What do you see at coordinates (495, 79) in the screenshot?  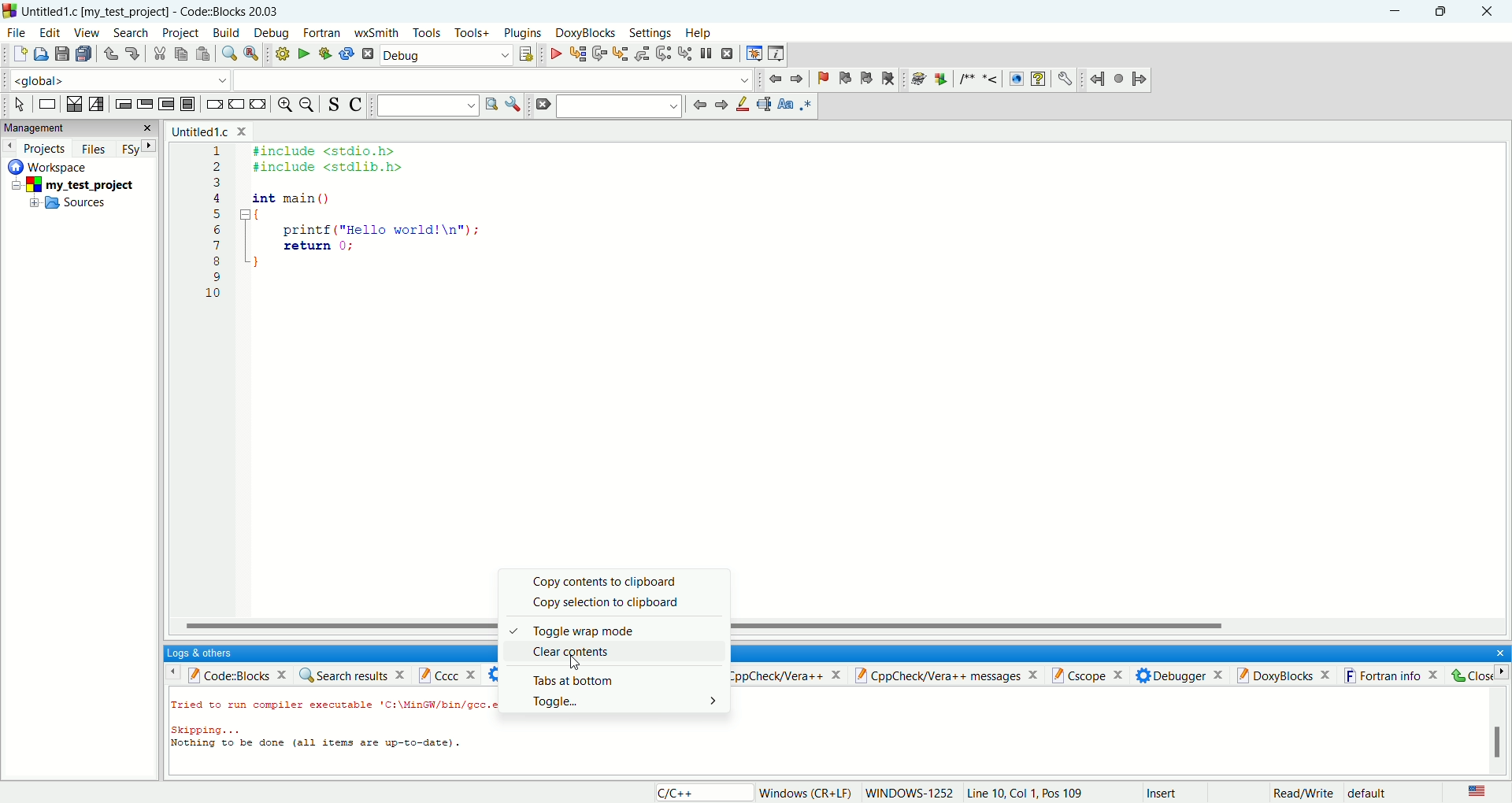 I see `blank space` at bounding box center [495, 79].